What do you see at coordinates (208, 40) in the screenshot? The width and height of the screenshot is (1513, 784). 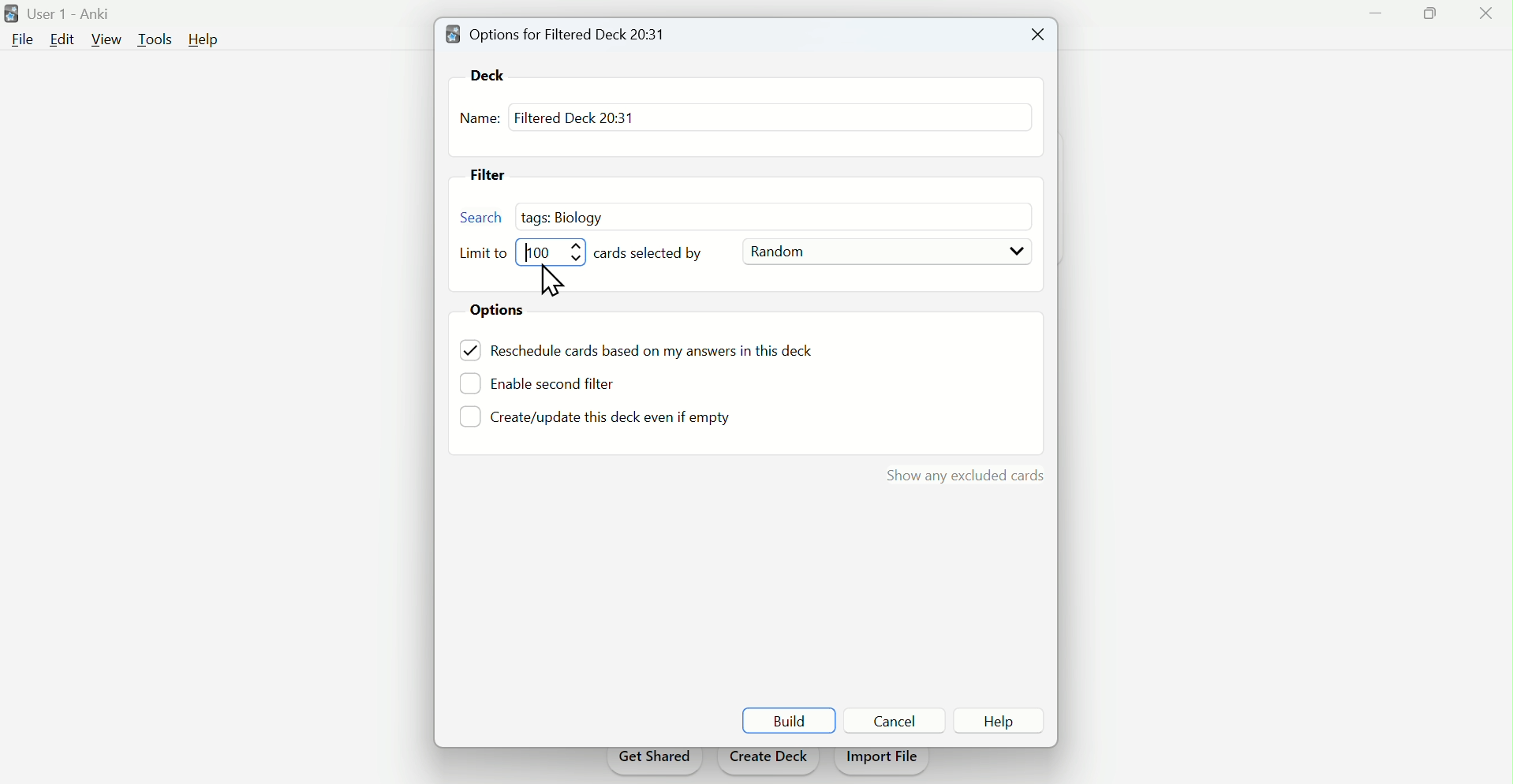 I see `Help` at bounding box center [208, 40].